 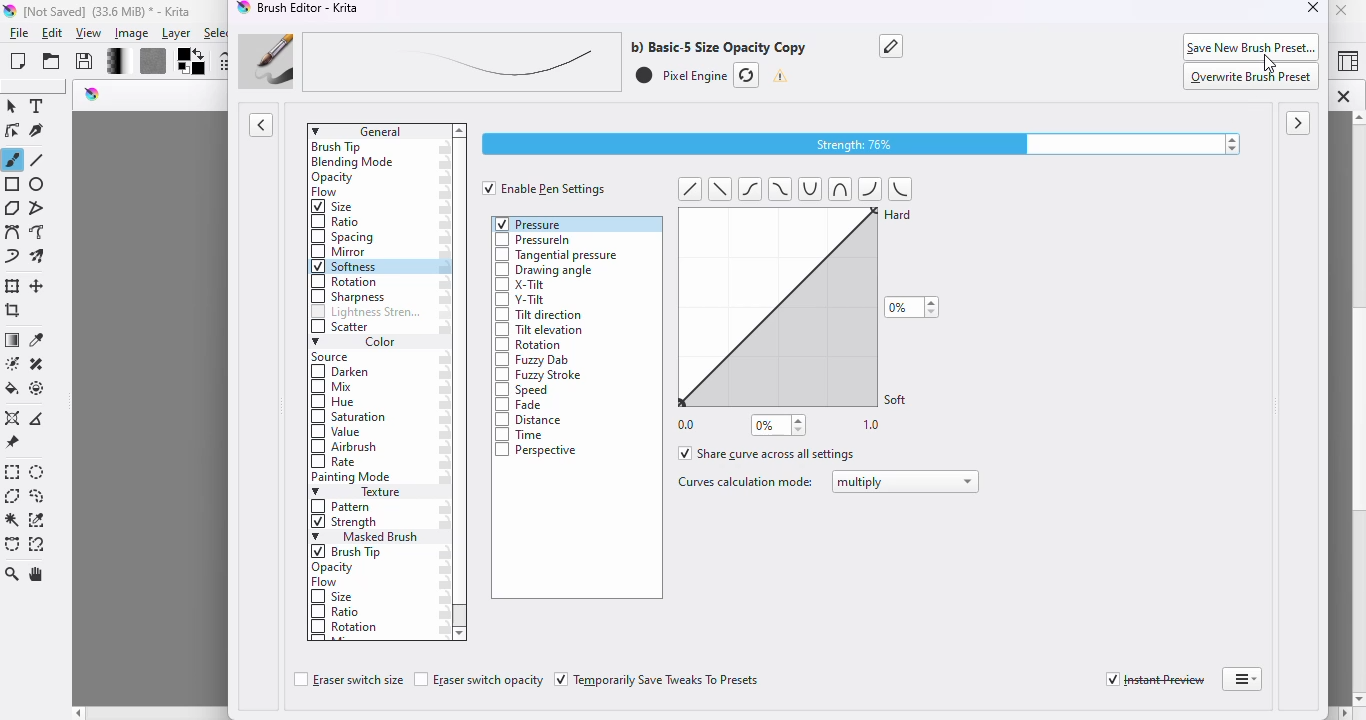 I want to click on drawing angle, so click(x=543, y=271).